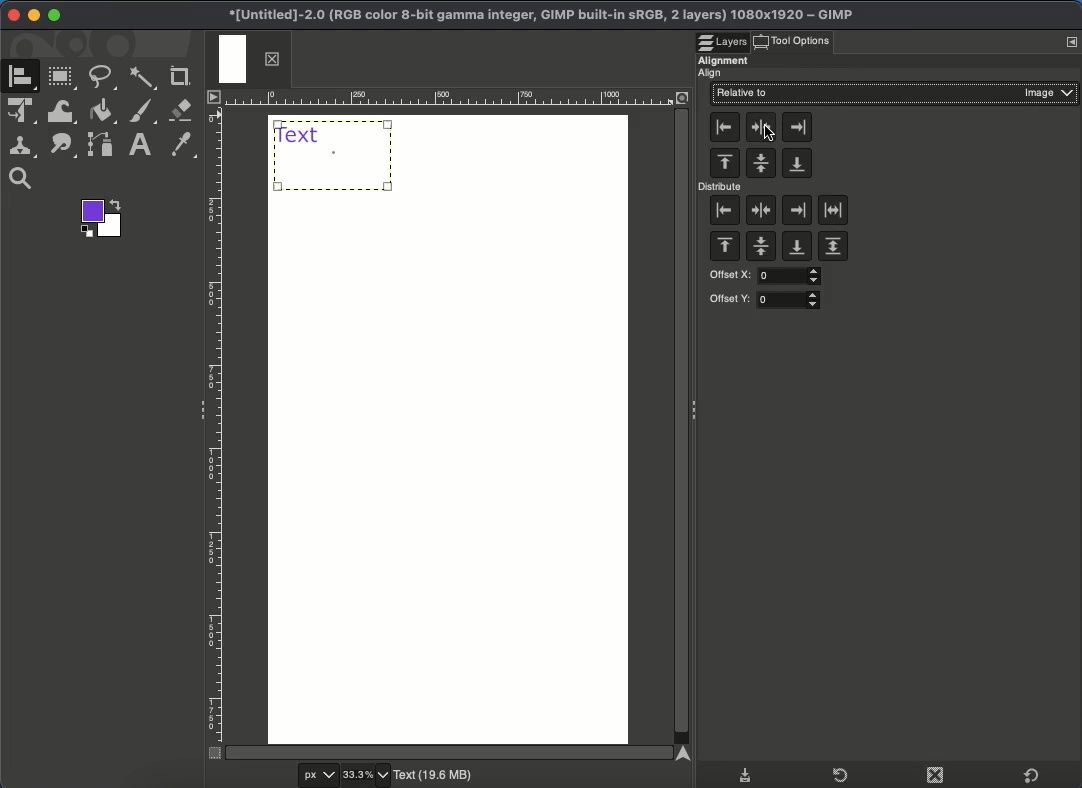  I want to click on Refresh tool presets, so click(834, 774).